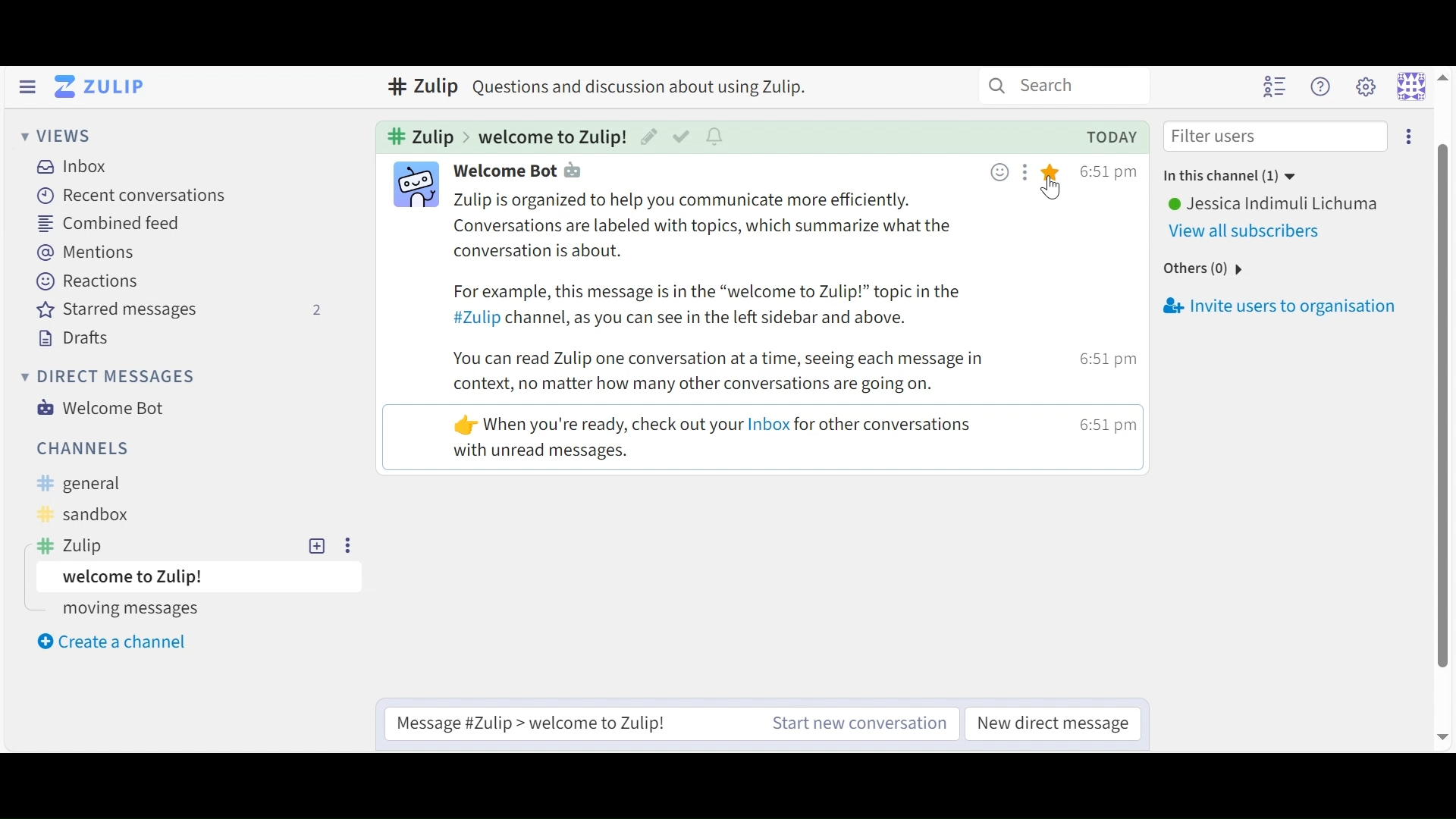 The image size is (1456, 819). Describe the element at coordinates (1200, 270) in the screenshot. I see `others` at that location.